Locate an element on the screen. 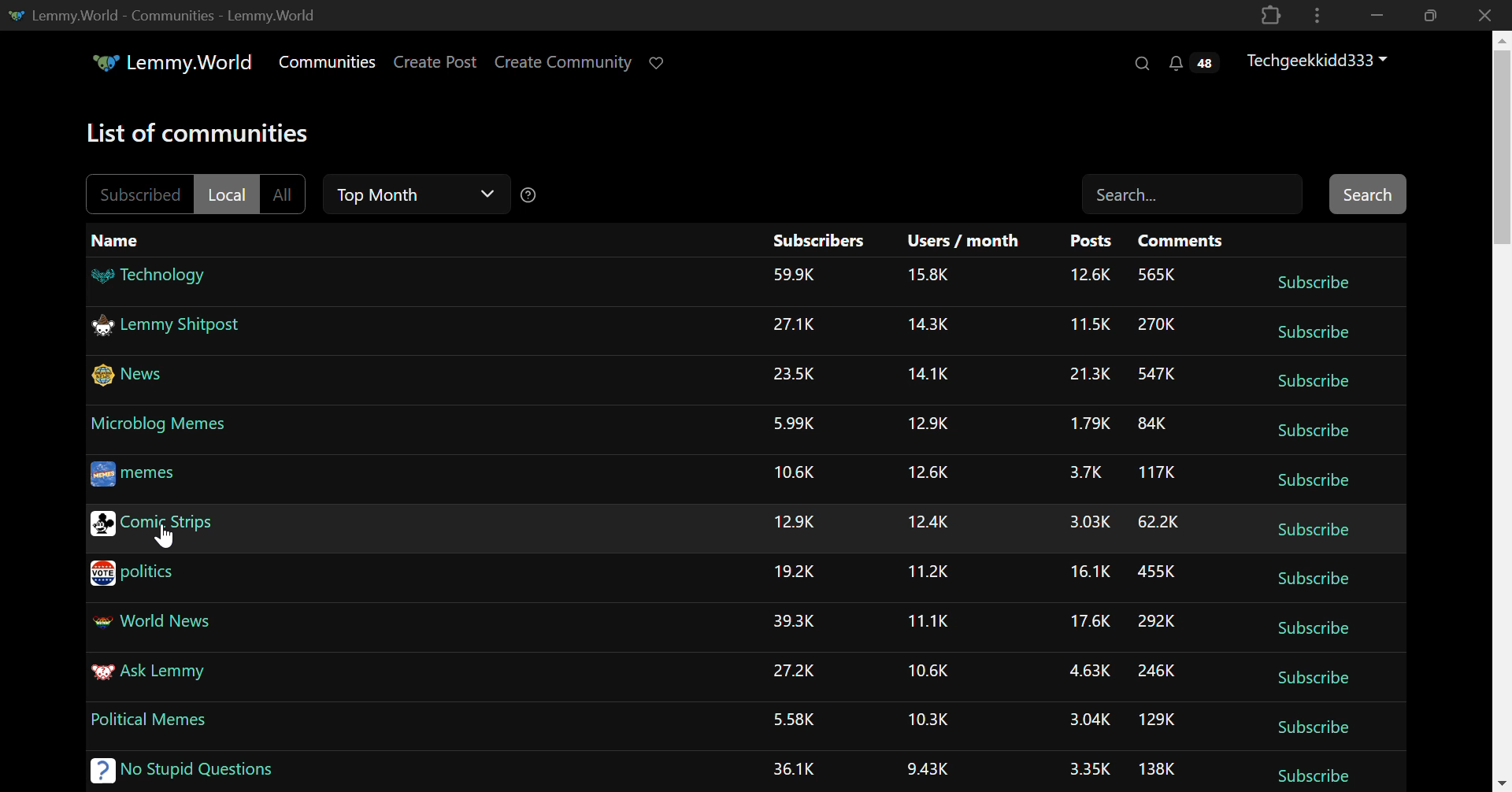 The width and height of the screenshot is (1512, 792). 10.3K is located at coordinates (929, 718).